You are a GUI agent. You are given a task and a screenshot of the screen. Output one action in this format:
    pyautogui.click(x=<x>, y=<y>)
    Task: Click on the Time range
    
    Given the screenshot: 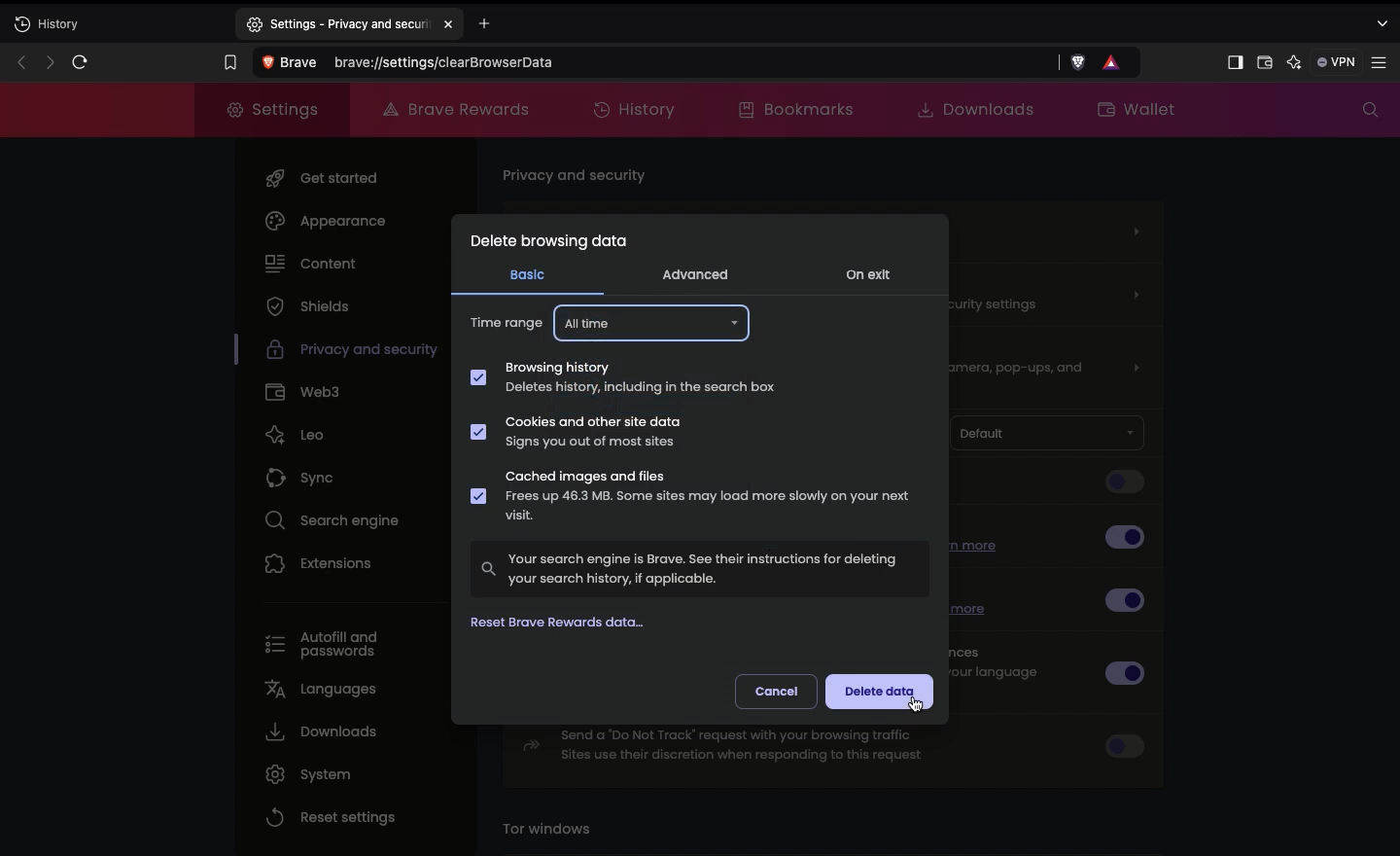 What is the action you would take?
    pyautogui.click(x=507, y=326)
    